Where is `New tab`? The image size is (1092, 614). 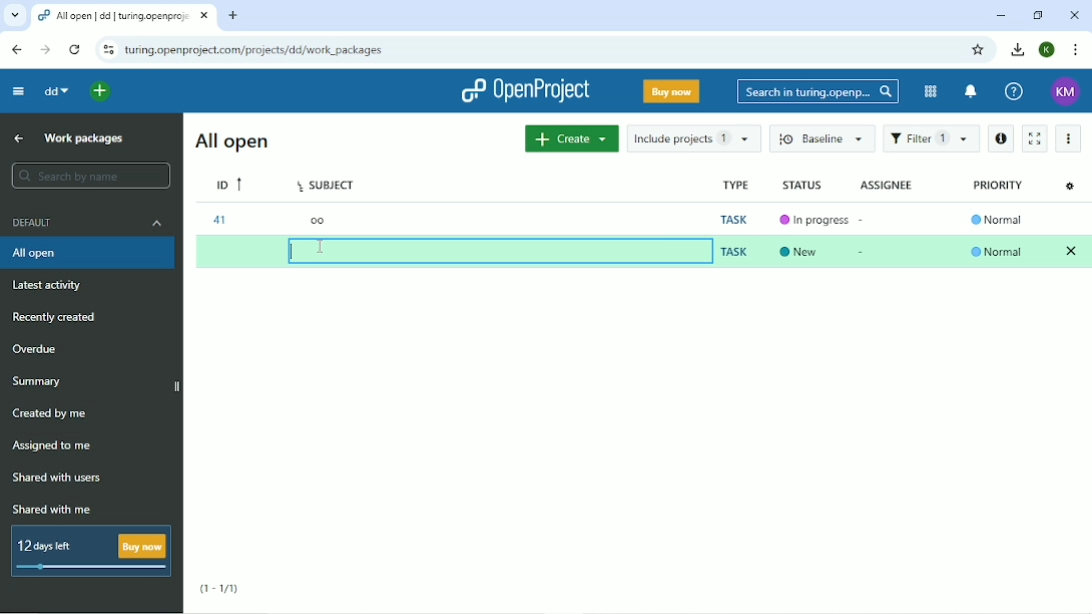 New tab is located at coordinates (233, 16).